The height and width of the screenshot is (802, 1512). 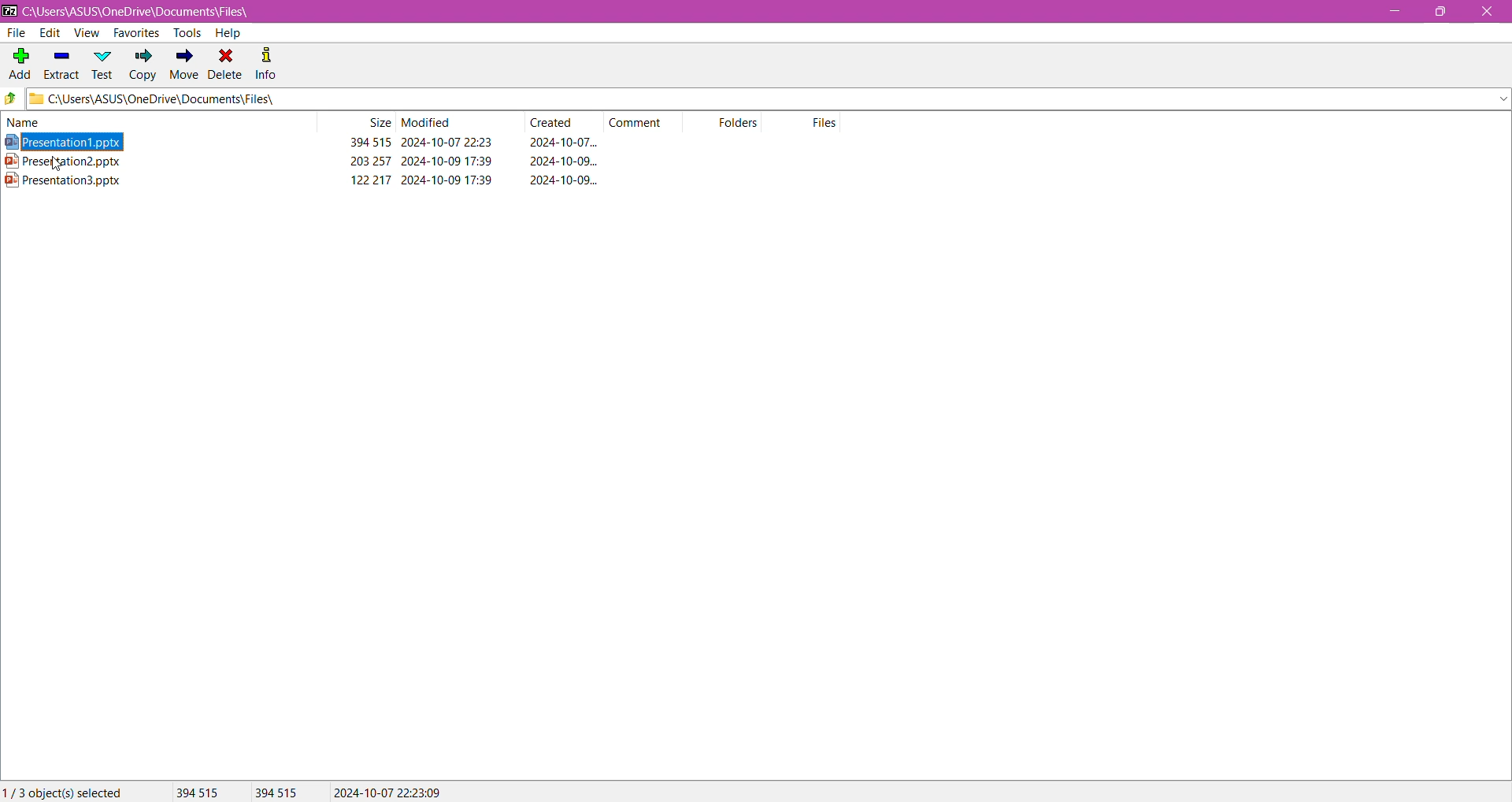 I want to click on Test, so click(x=103, y=64).